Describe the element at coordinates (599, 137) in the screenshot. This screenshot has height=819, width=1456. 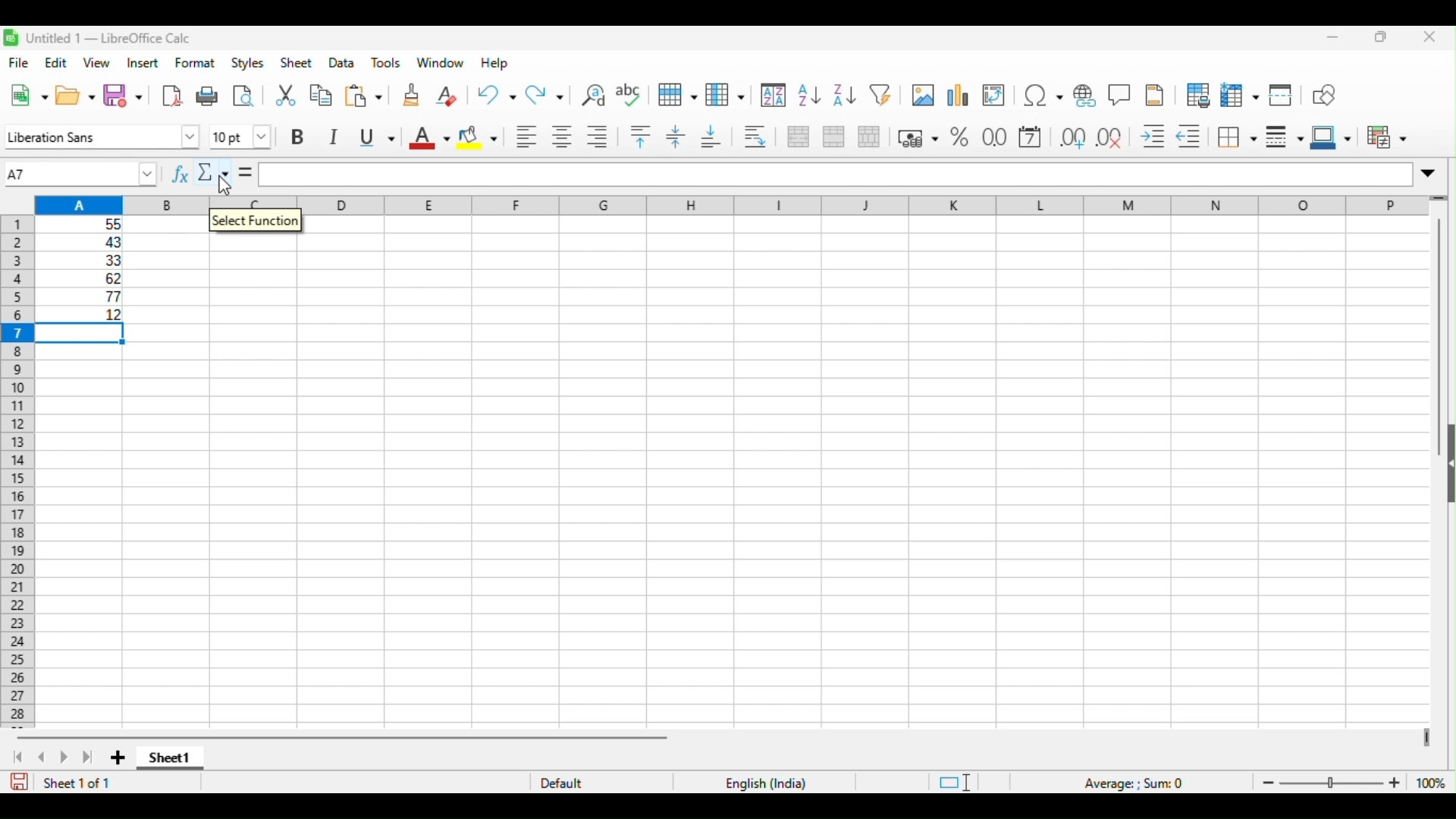
I see `align right` at that location.